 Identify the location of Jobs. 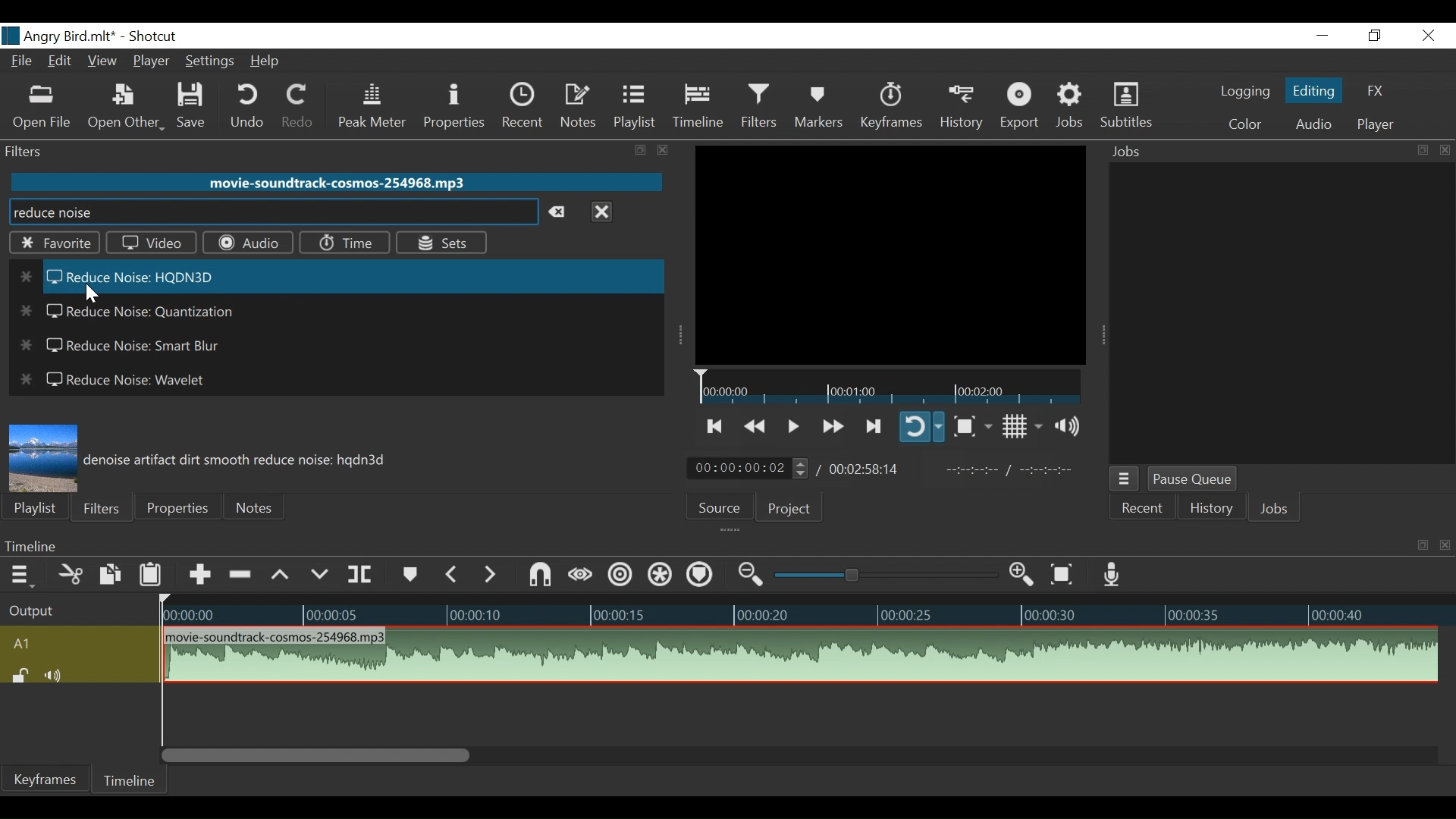
(1278, 510).